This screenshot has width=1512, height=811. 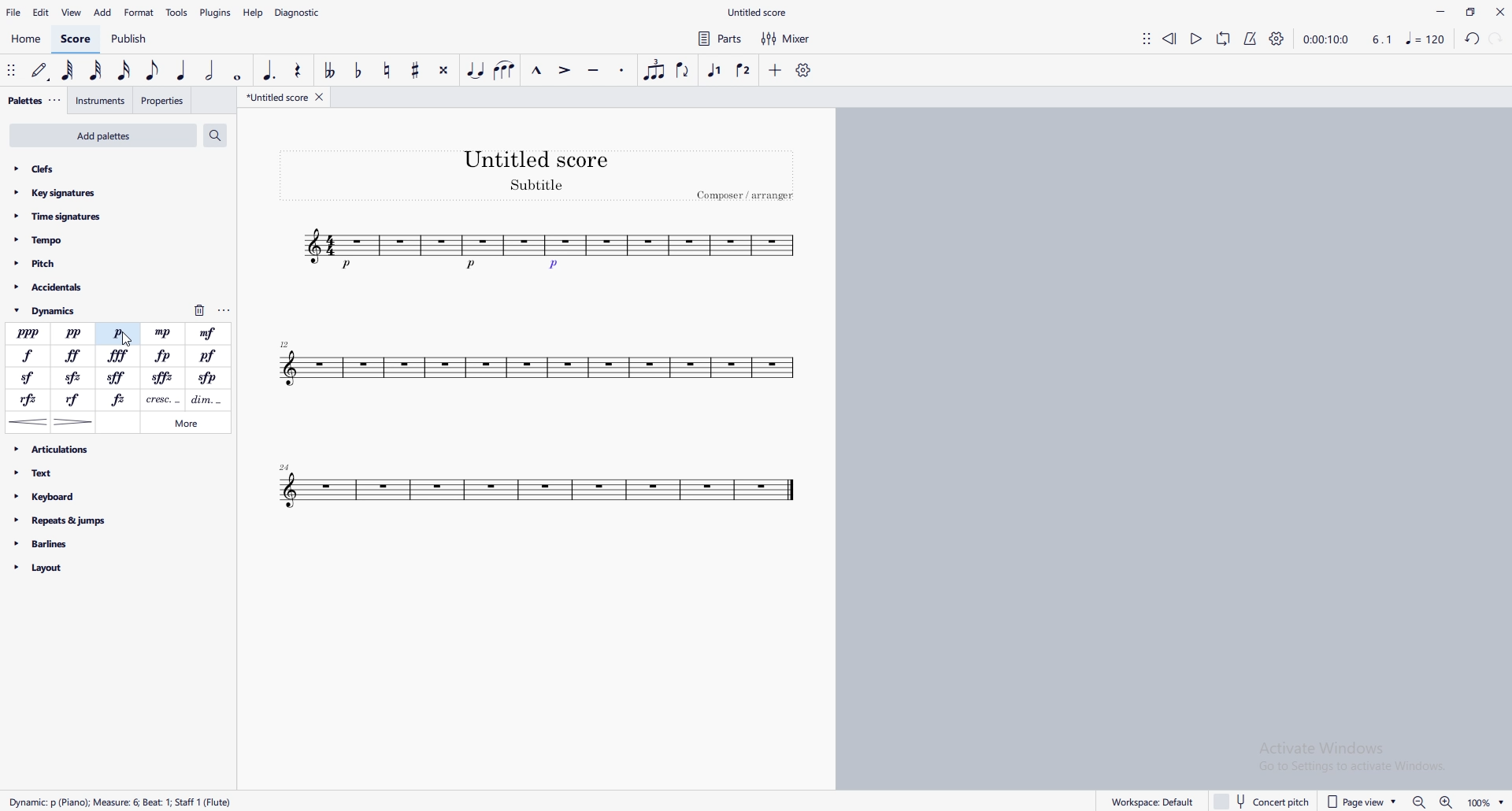 I want to click on repeats and jumps, so click(x=99, y=522).